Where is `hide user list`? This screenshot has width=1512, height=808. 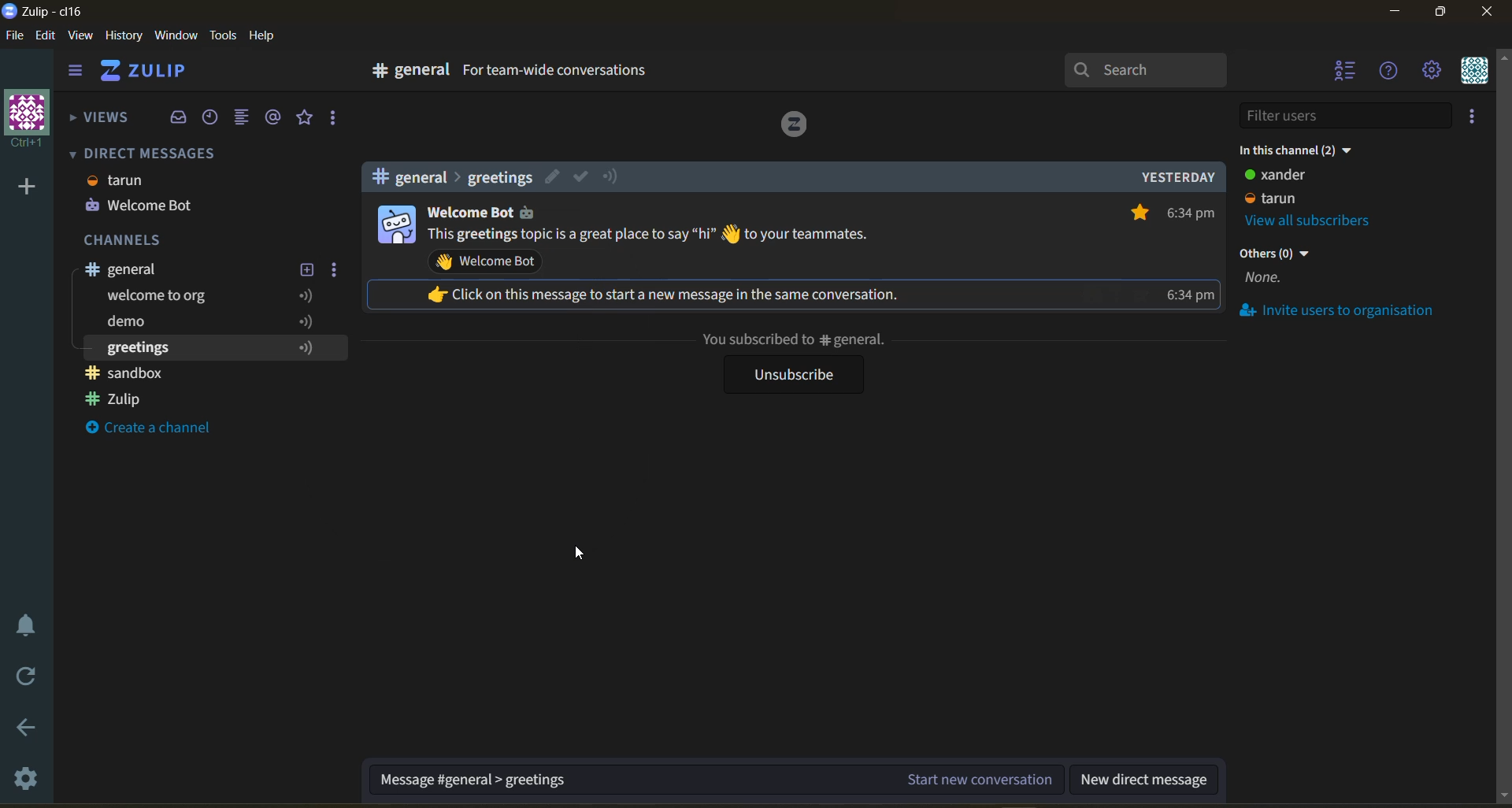 hide user list is located at coordinates (1346, 72).